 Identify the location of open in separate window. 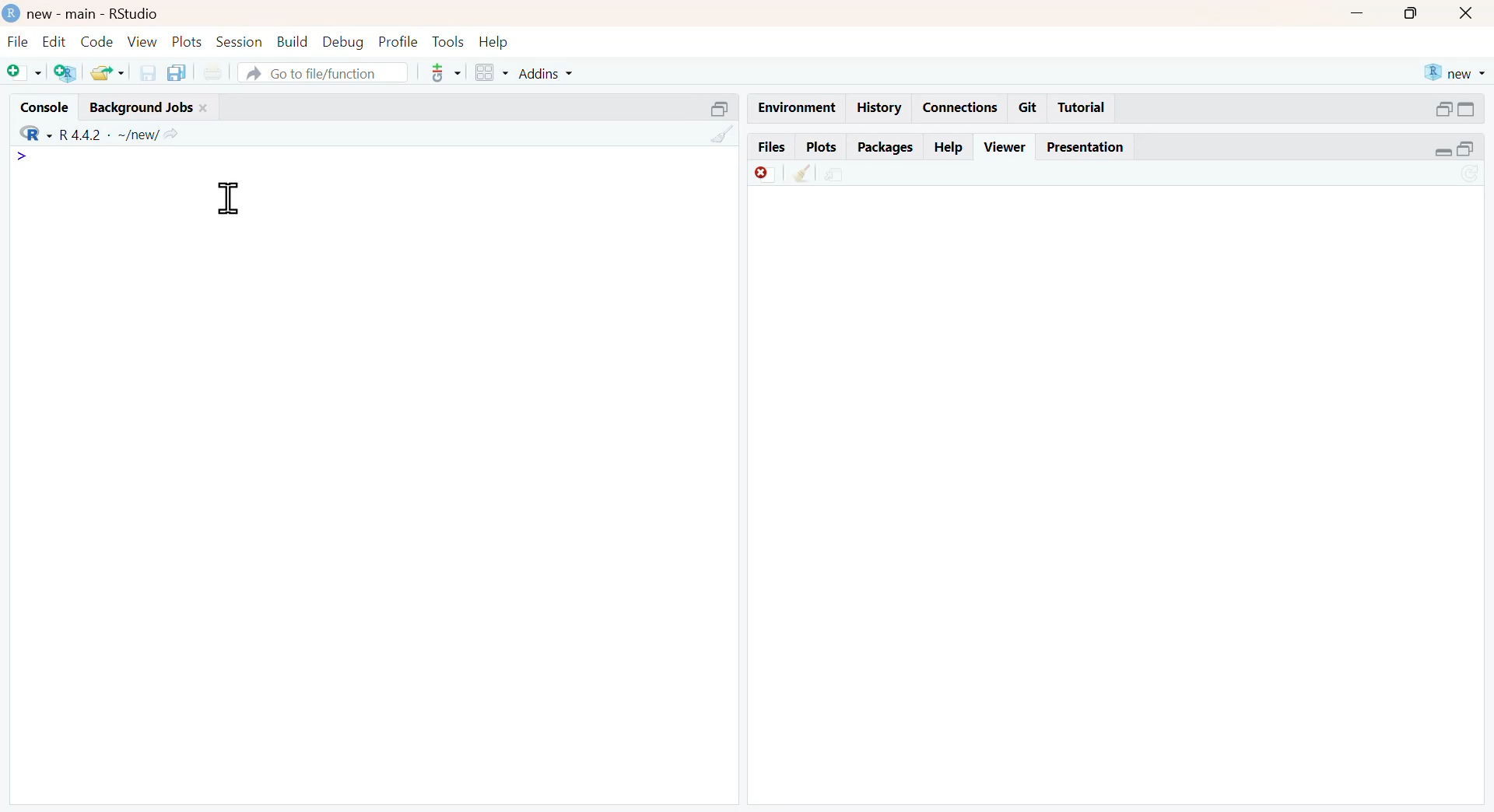
(1465, 148).